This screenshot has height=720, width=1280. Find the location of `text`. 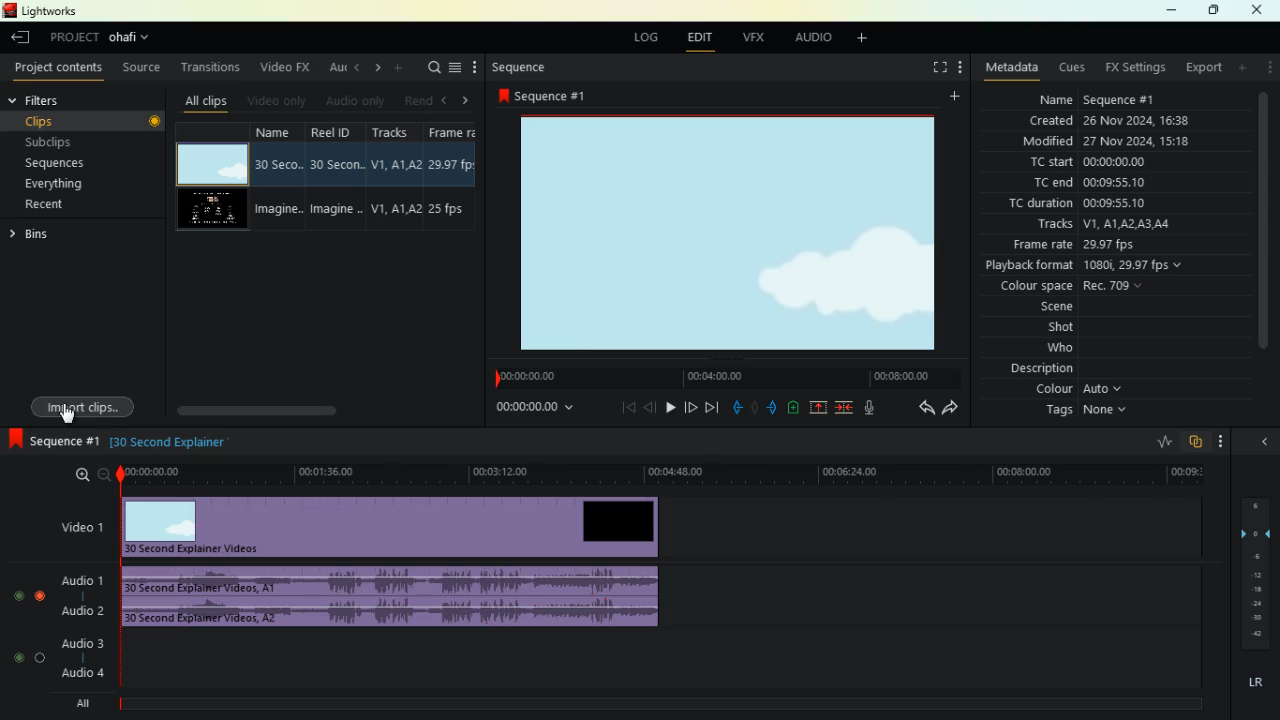

text is located at coordinates (187, 444).